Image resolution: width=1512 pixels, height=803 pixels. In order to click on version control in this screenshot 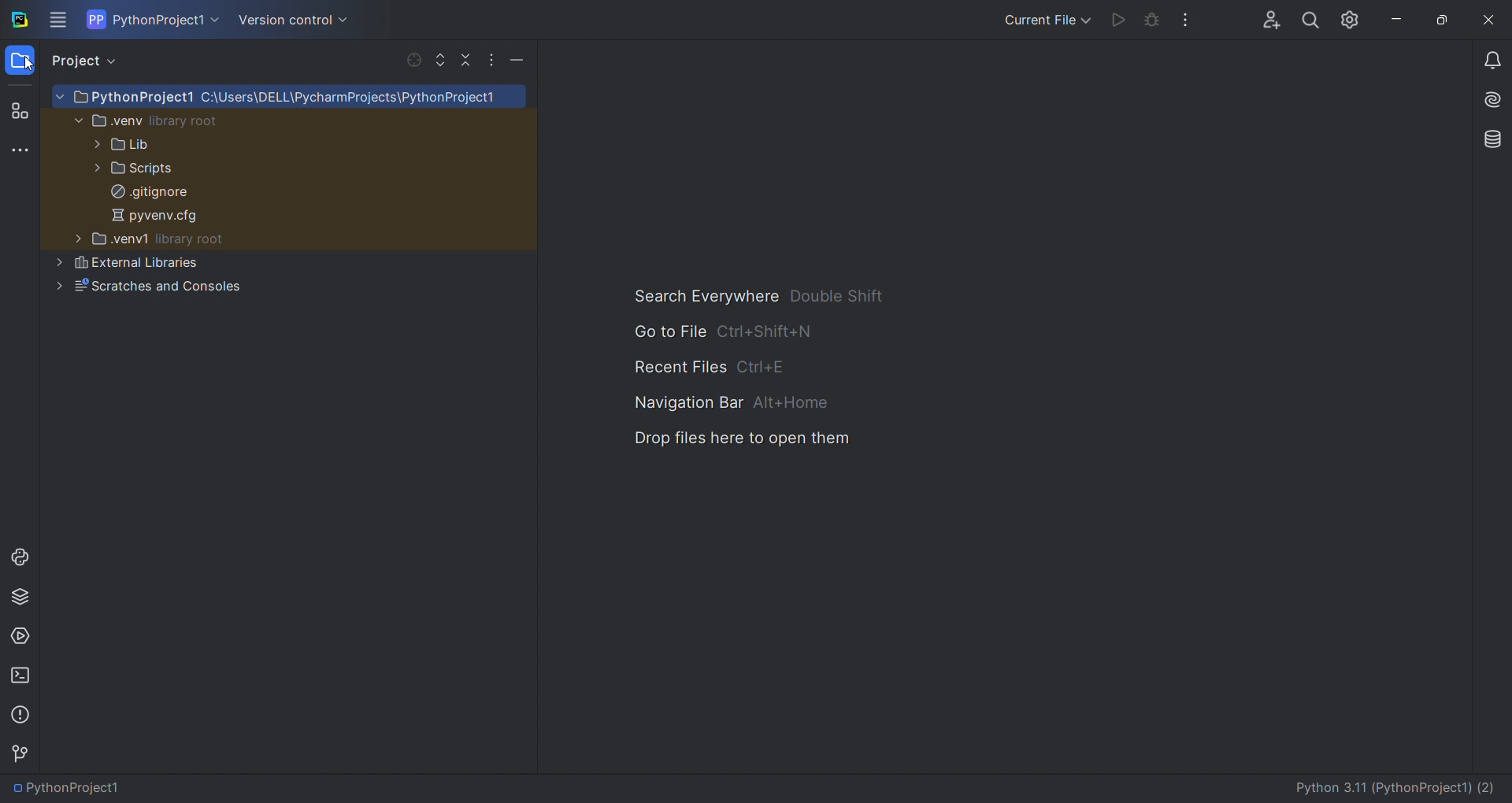, I will do `click(302, 20)`.